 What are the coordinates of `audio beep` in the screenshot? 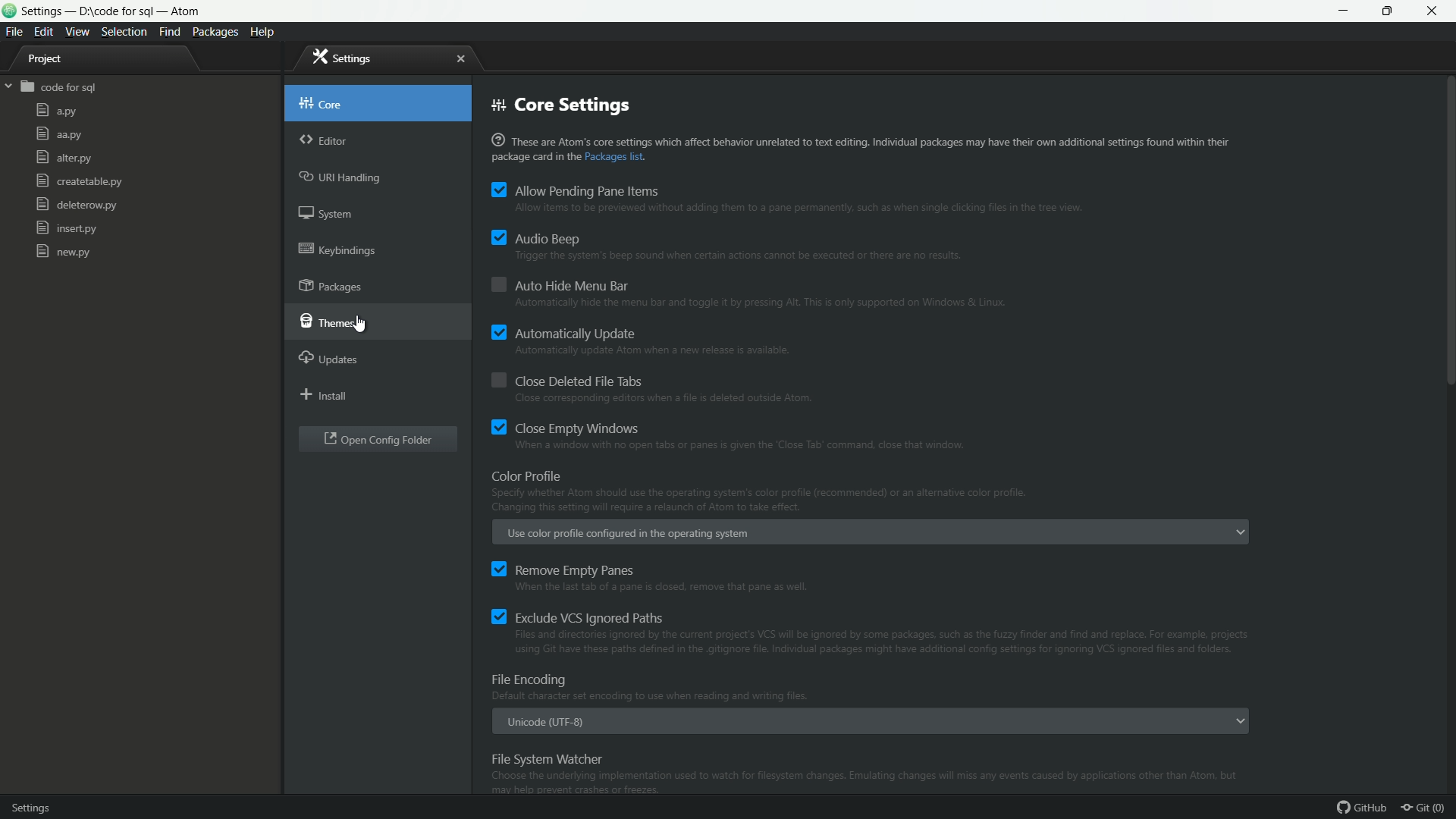 It's located at (536, 238).